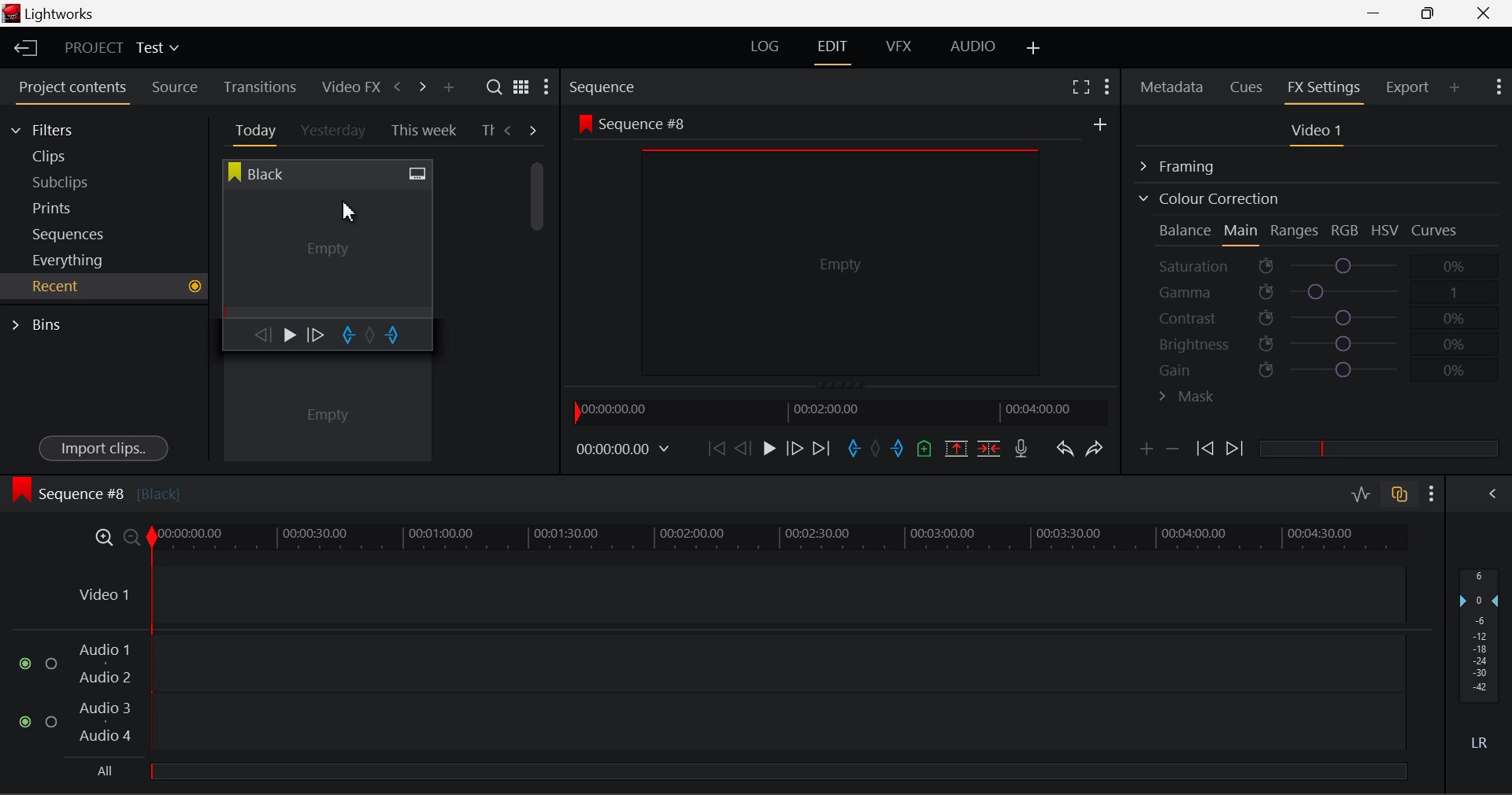  What do you see at coordinates (712, 694) in the screenshot?
I see `Audio Input Fields` at bounding box center [712, 694].